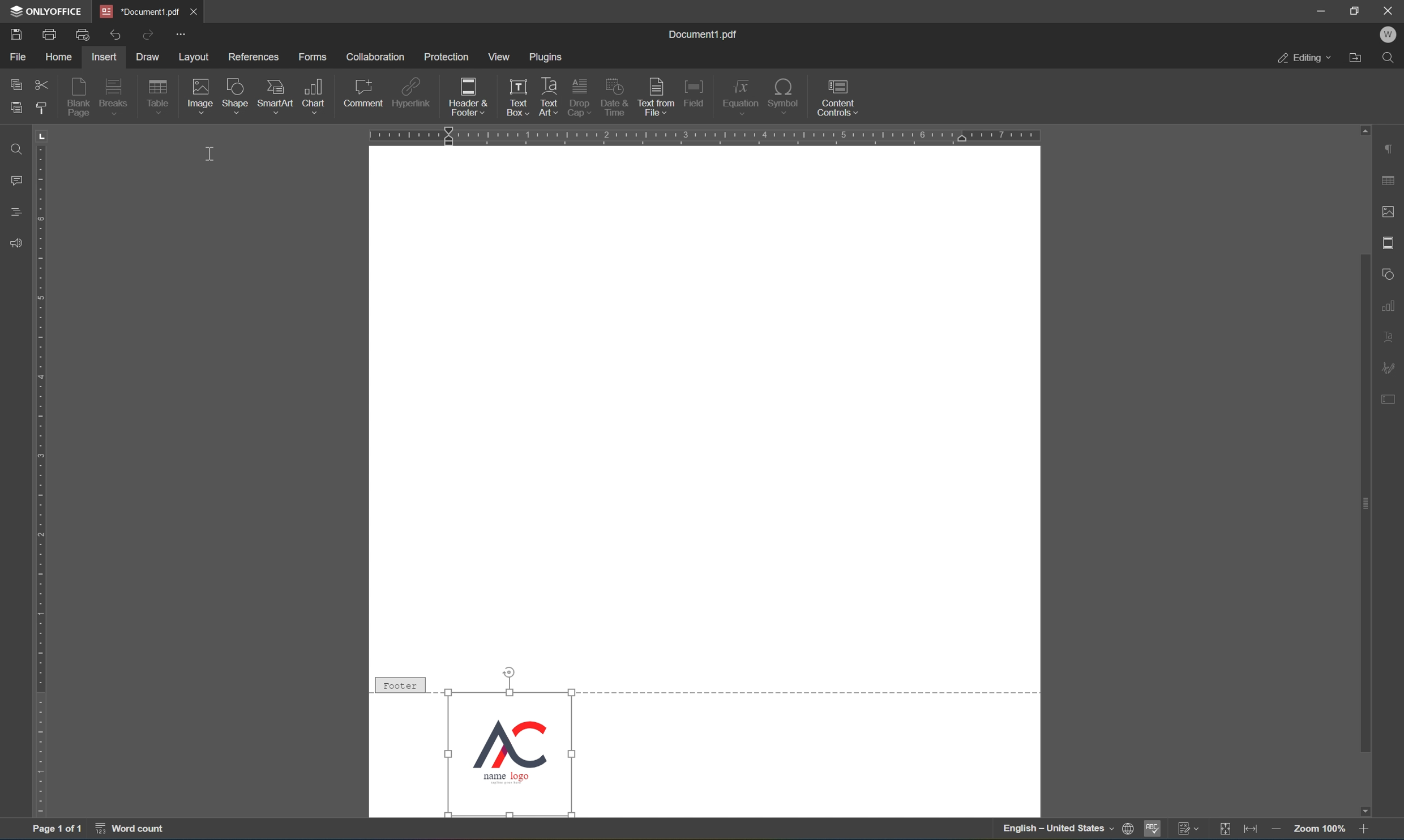 This screenshot has width=1404, height=840. I want to click on image settings, so click(1389, 209).